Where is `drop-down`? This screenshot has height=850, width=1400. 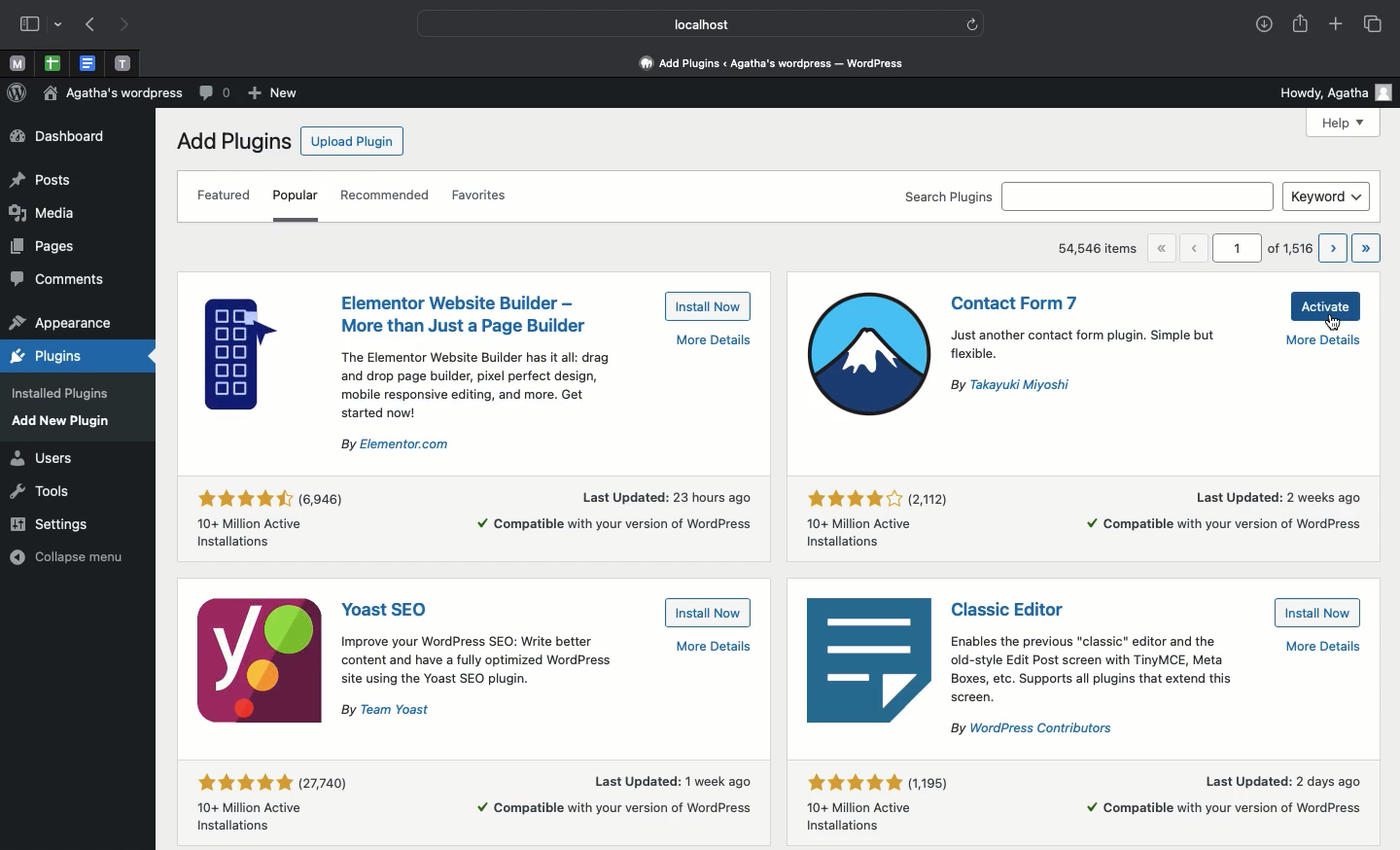
drop-down is located at coordinates (58, 25).